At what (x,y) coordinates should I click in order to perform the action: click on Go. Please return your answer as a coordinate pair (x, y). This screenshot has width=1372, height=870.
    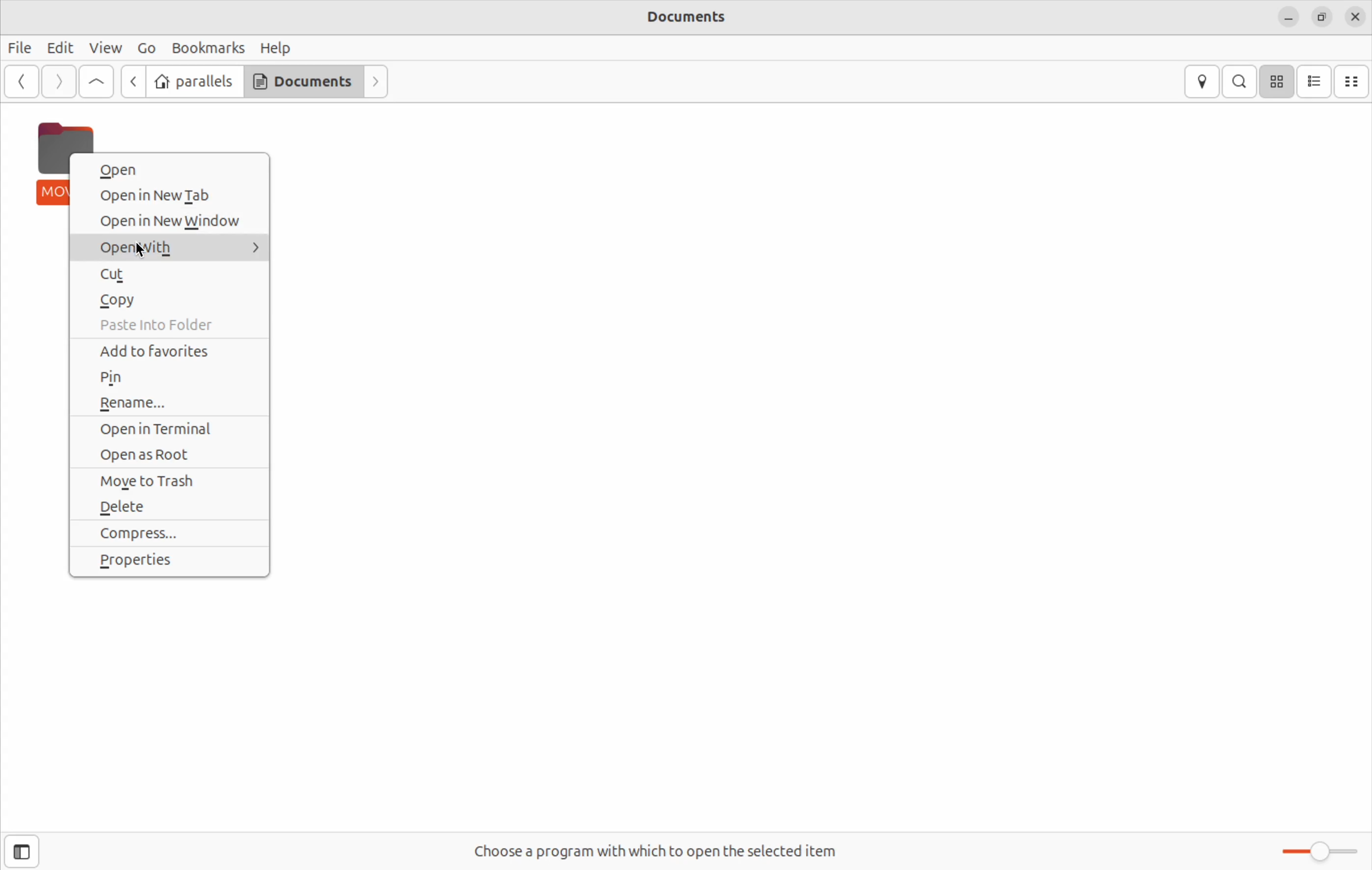
    Looking at the image, I should click on (144, 50).